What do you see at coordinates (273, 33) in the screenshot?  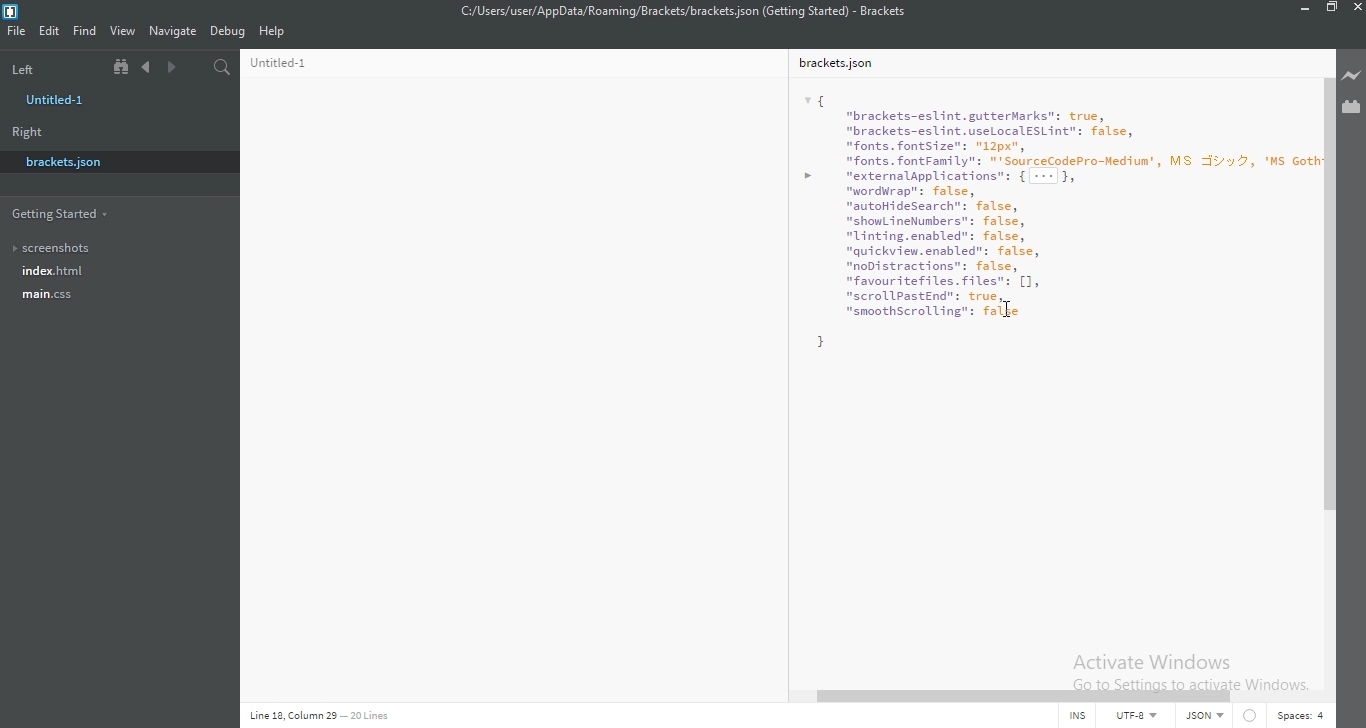 I see `Help` at bounding box center [273, 33].